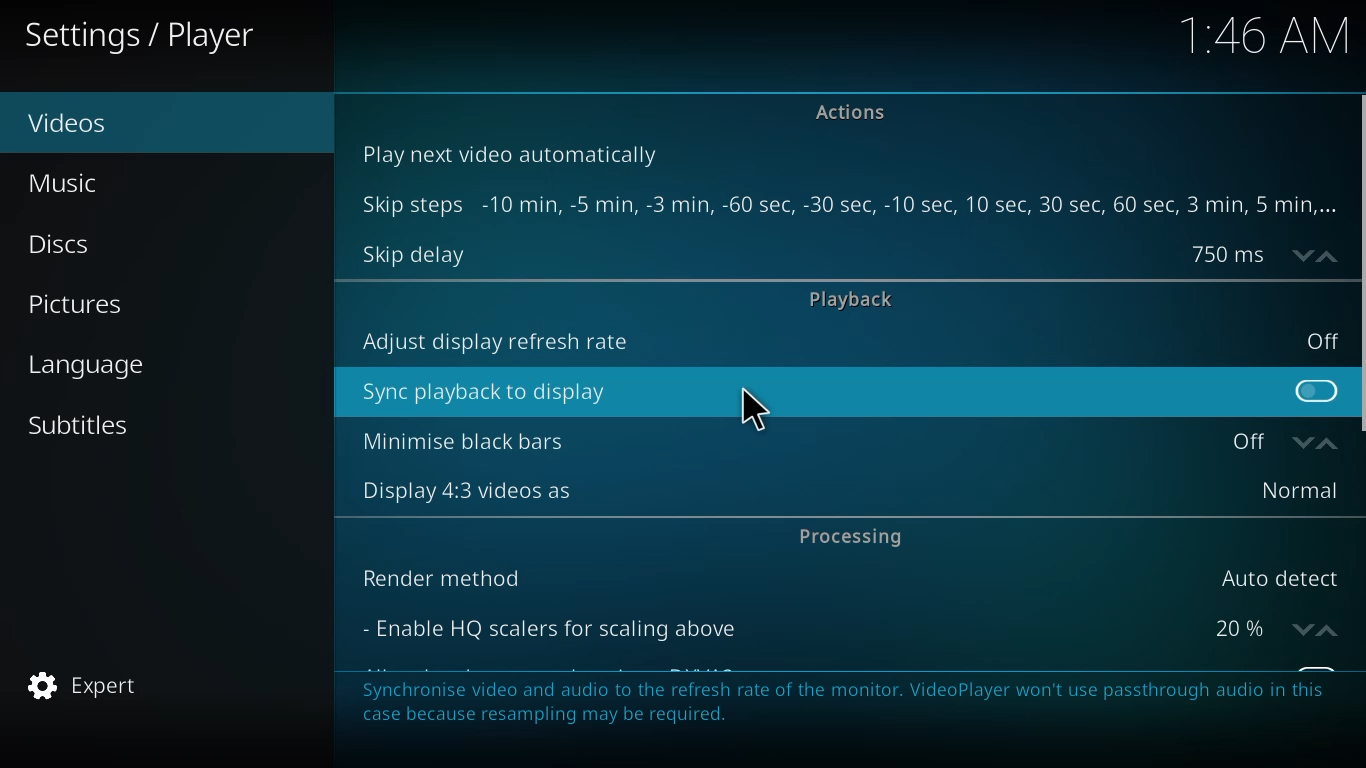 This screenshot has height=768, width=1366. I want to click on render method, so click(445, 580).